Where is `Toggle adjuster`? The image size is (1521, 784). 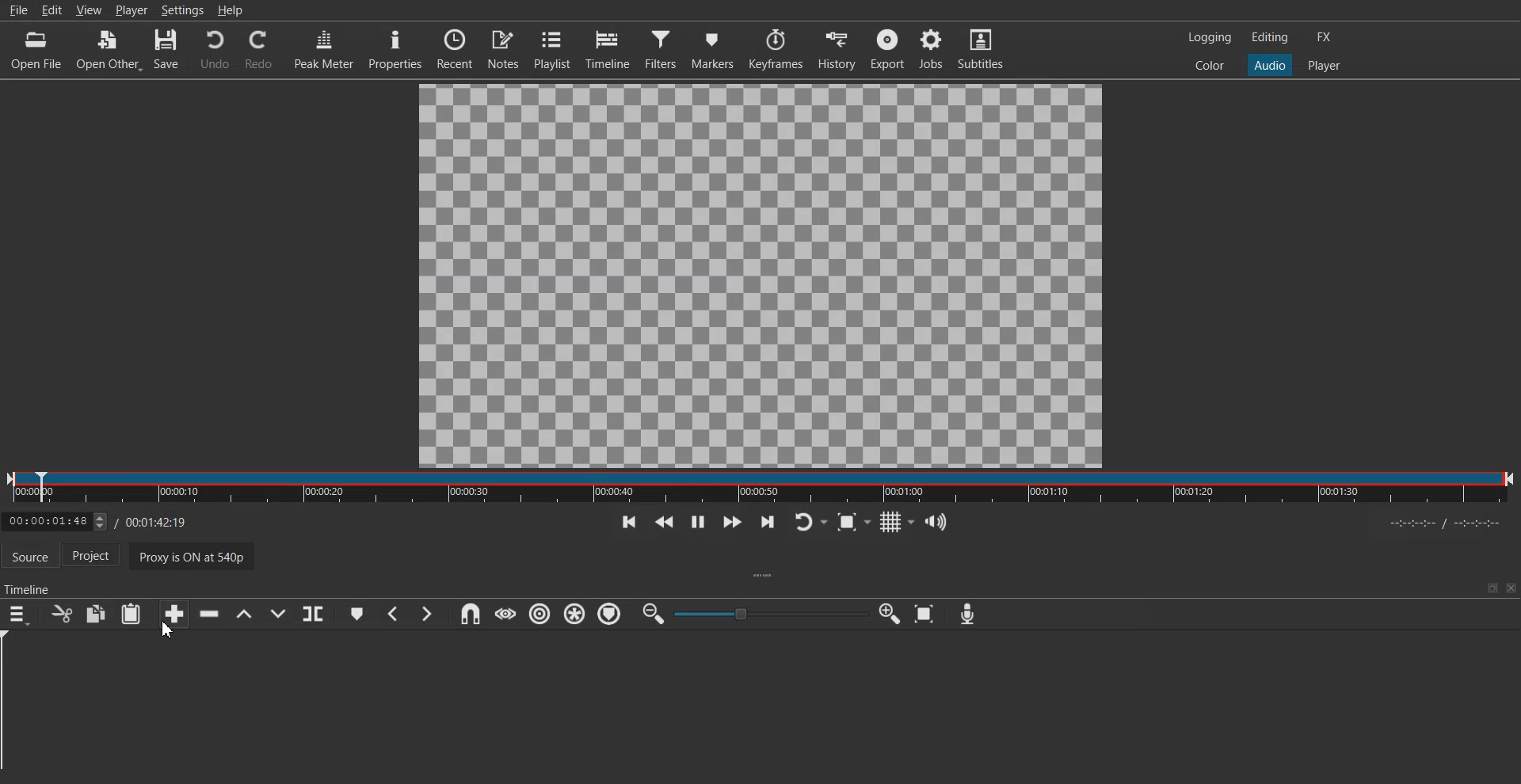
Toggle adjuster is located at coordinates (771, 613).